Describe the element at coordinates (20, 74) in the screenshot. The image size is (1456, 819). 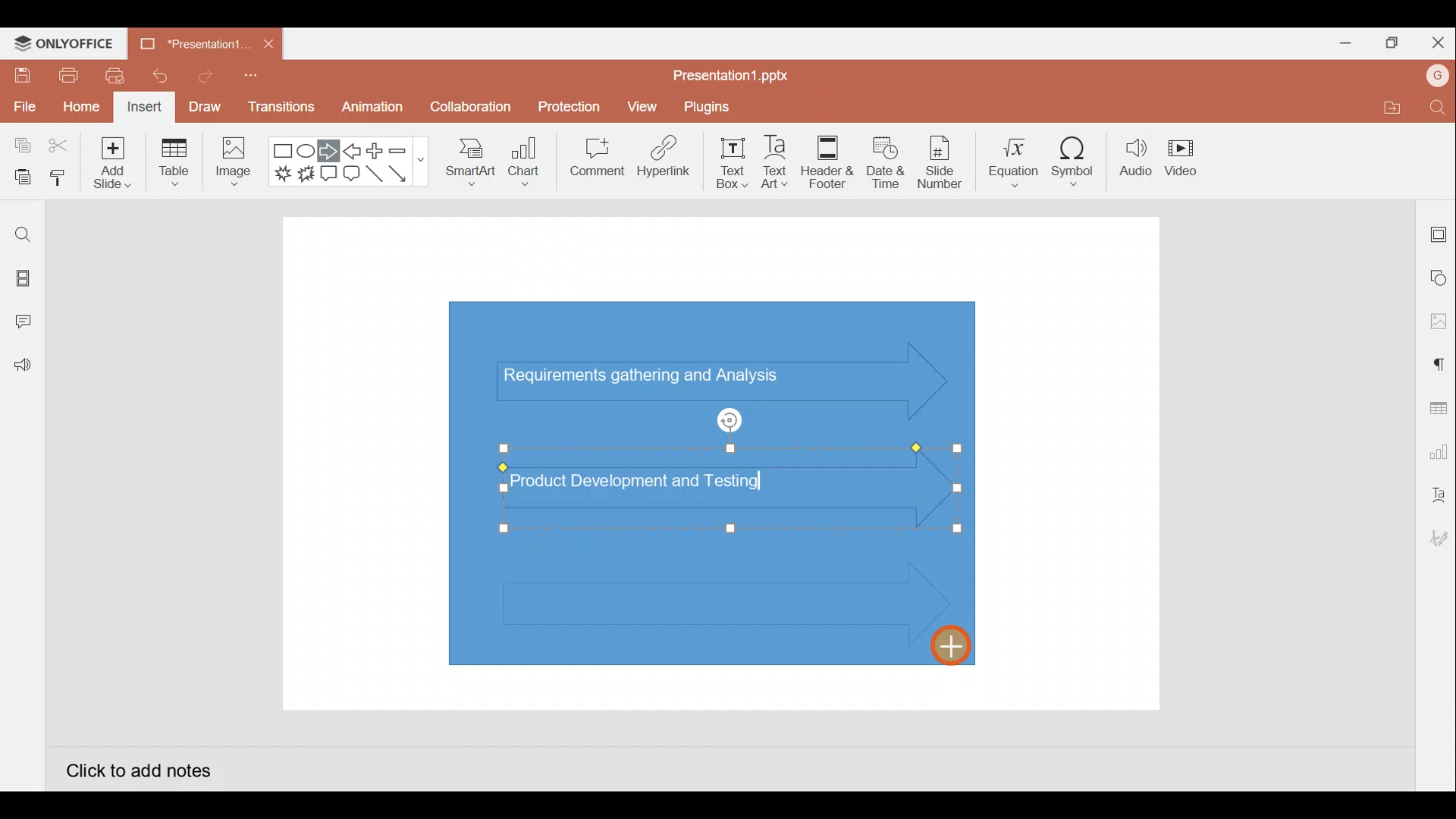
I see `Save` at that location.